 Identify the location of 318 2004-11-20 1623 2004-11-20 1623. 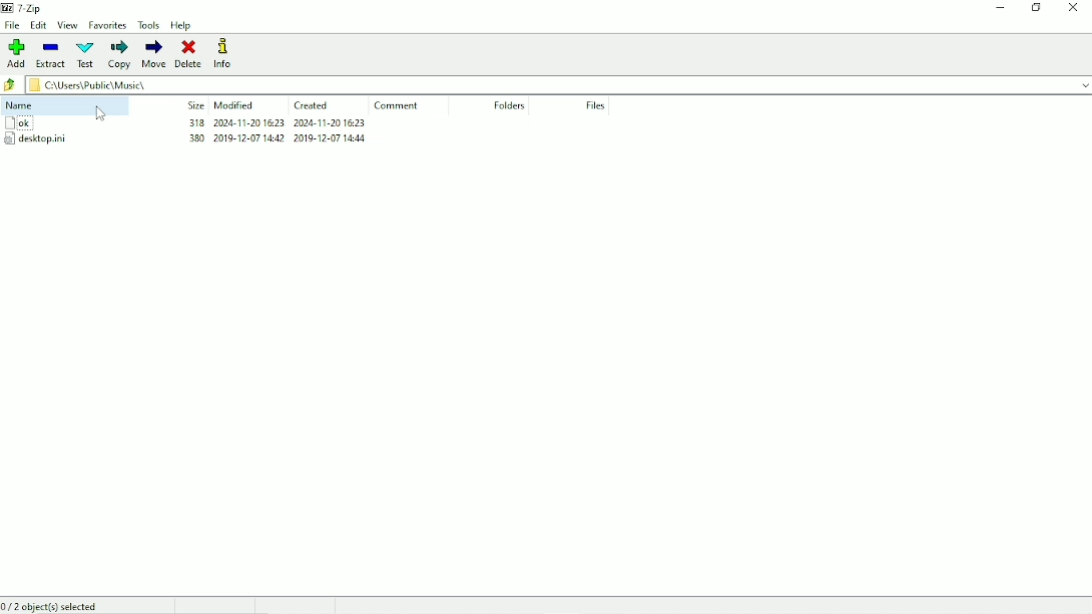
(277, 124).